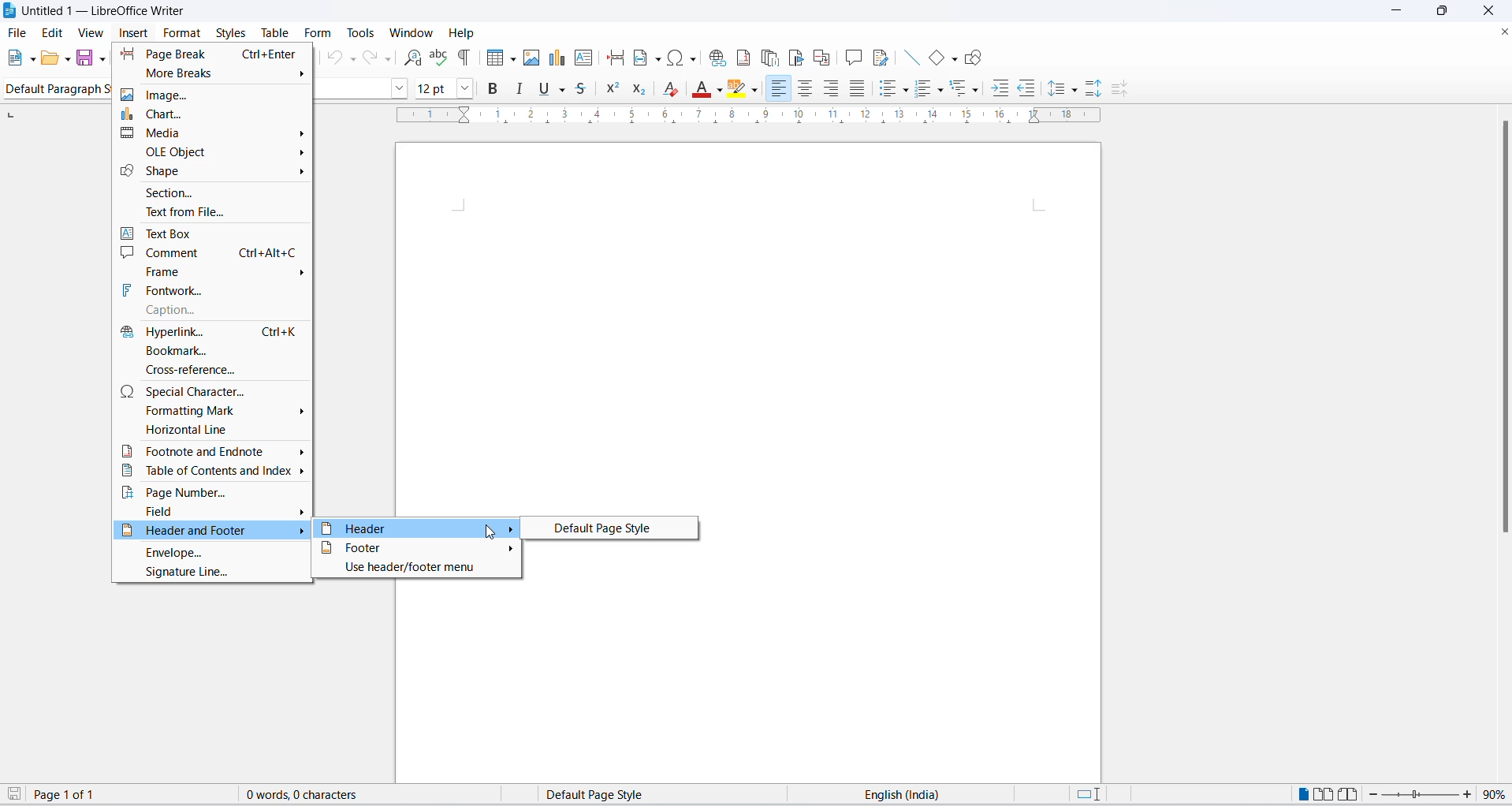  Describe the element at coordinates (213, 450) in the screenshot. I see `footnote and endnote` at that location.